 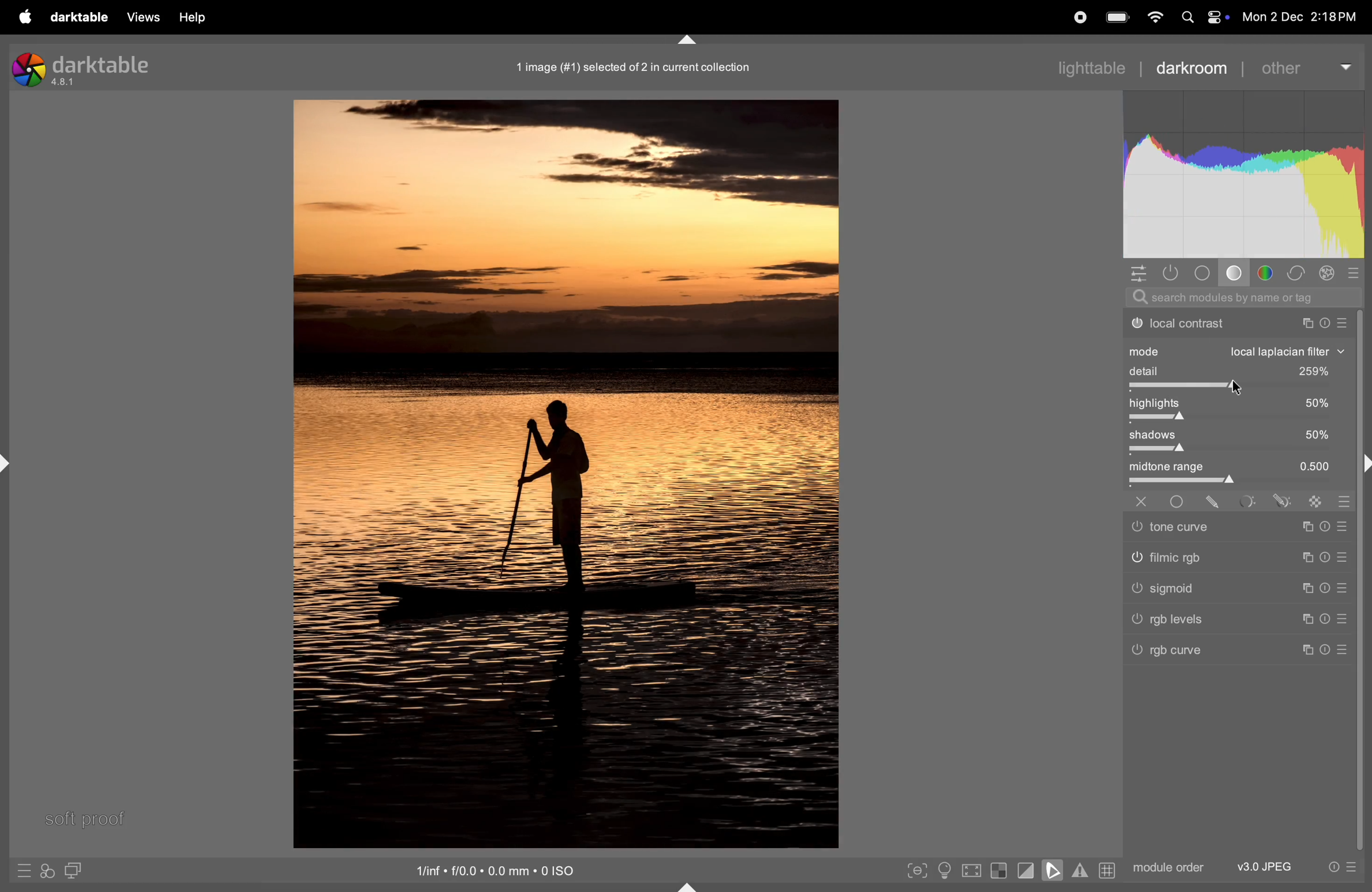 I want to click on , so click(x=1184, y=526).